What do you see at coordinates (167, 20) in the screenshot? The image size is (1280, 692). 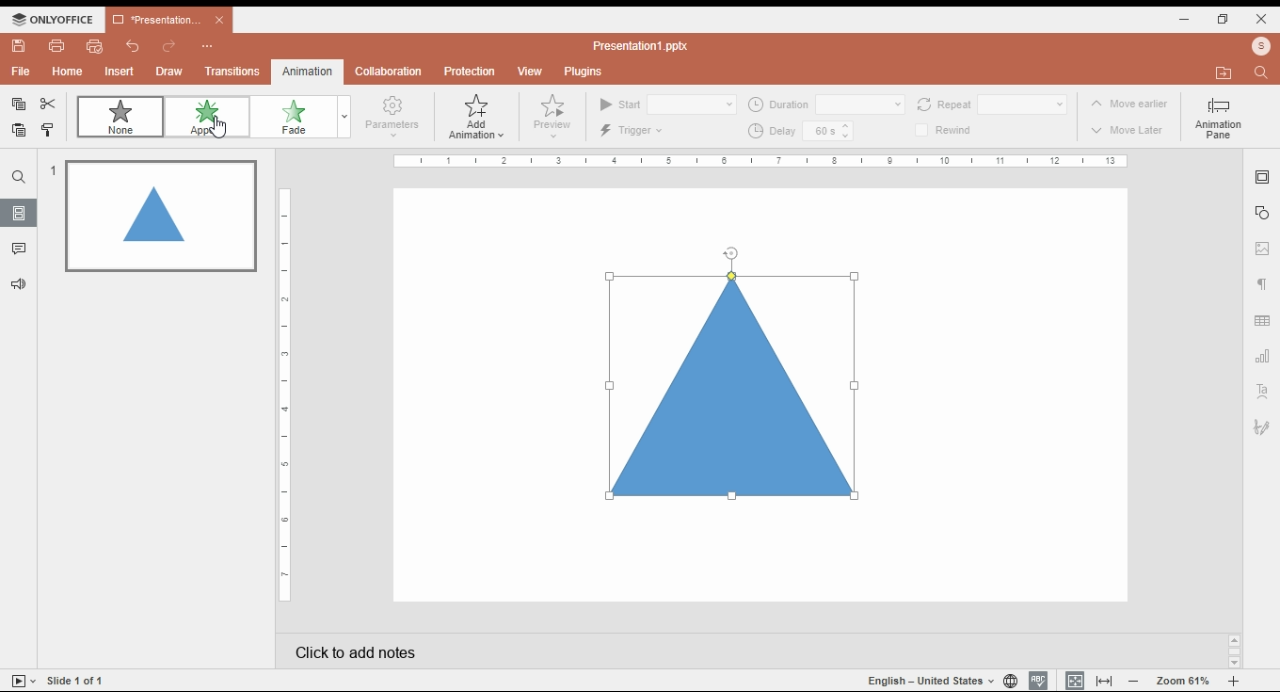 I see `presentation 1` at bounding box center [167, 20].